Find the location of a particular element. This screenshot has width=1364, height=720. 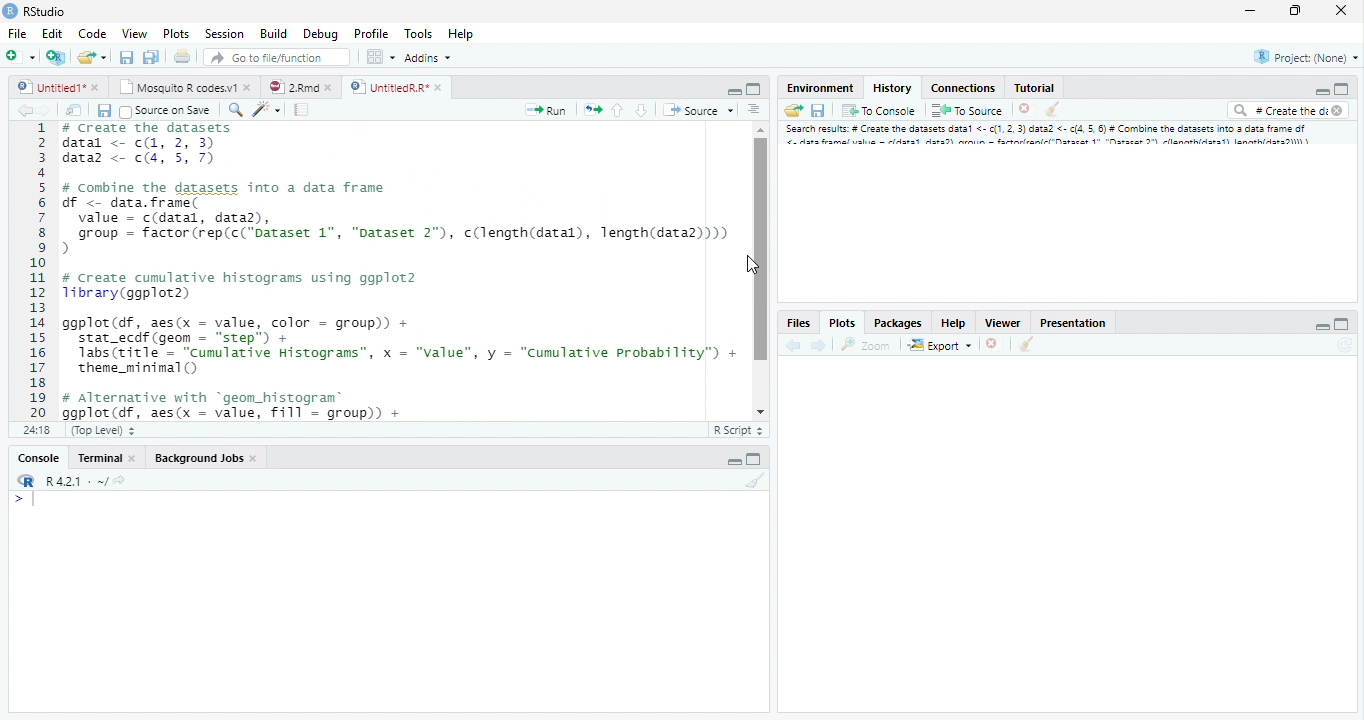

# Combine the dataset into a data frame f <- data.frame(value = c(datal, data),group = factor (rep(c("Dataset 1", "Dataset 2"), c(length(datal), length(data2))))create cumulative histograms using ggplot2brary (ggplot2)gplot(df, aes(x = value, color = group)) +stat_ecdf (geom = “step”) +Tabs(ritle = “cumulative Histograms”, x = "value", y = “Cumulative Probability”) +theme_mininal ()Alternative with “geom_histogram®gplot(df, aes(x = value, Fill = group)) +geon_histogram(aes(y = cumsum(.. count. .)/sun(. .count..)),position = "identity", alpha = 0.5, bins = 30) +1abs(title = “Cumulative Histograms”, x = "value", y = “Cumulative Probability”) + is located at coordinates (402, 271).